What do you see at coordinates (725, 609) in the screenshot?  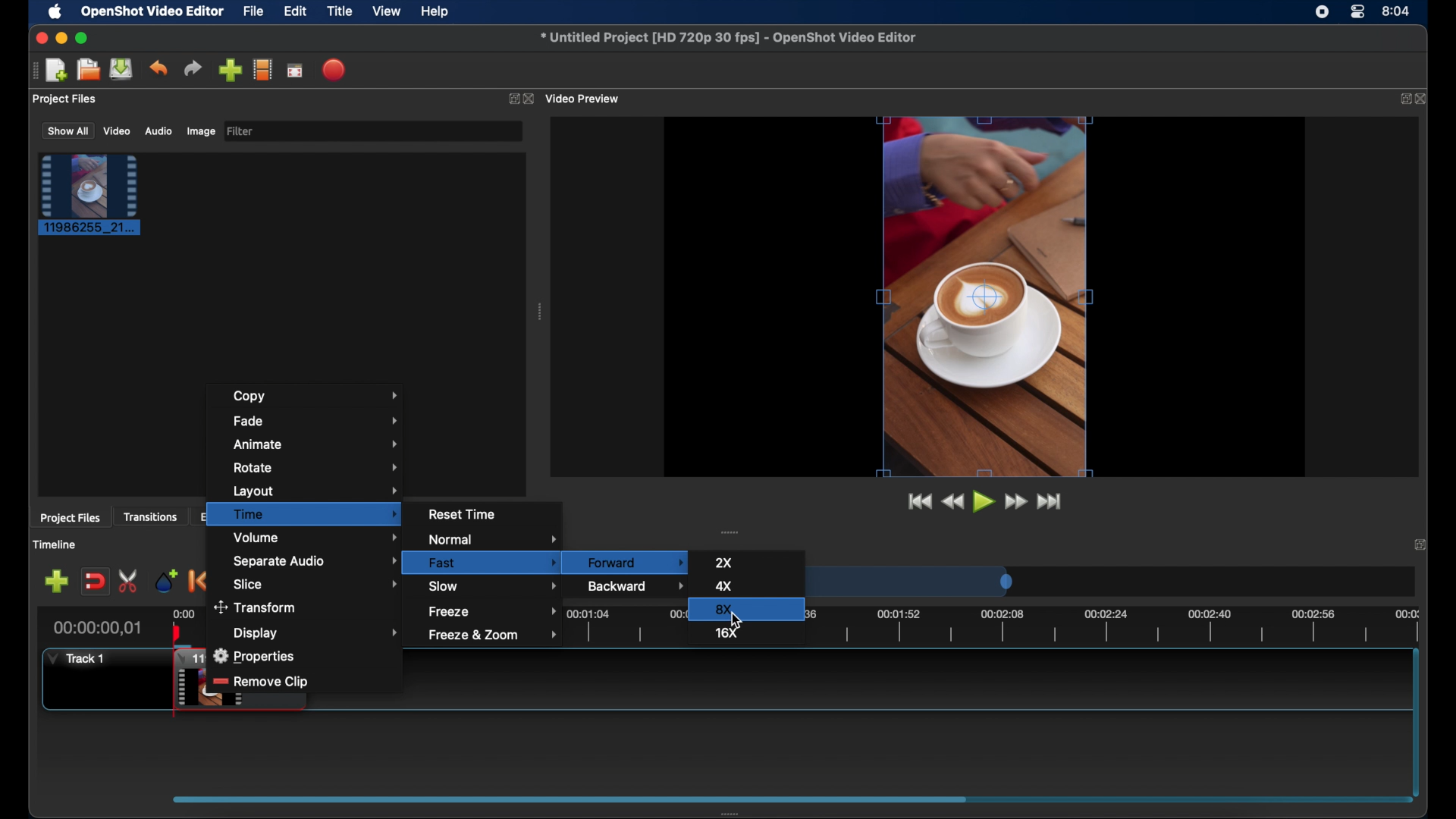 I see `8x` at bounding box center [725, 609].